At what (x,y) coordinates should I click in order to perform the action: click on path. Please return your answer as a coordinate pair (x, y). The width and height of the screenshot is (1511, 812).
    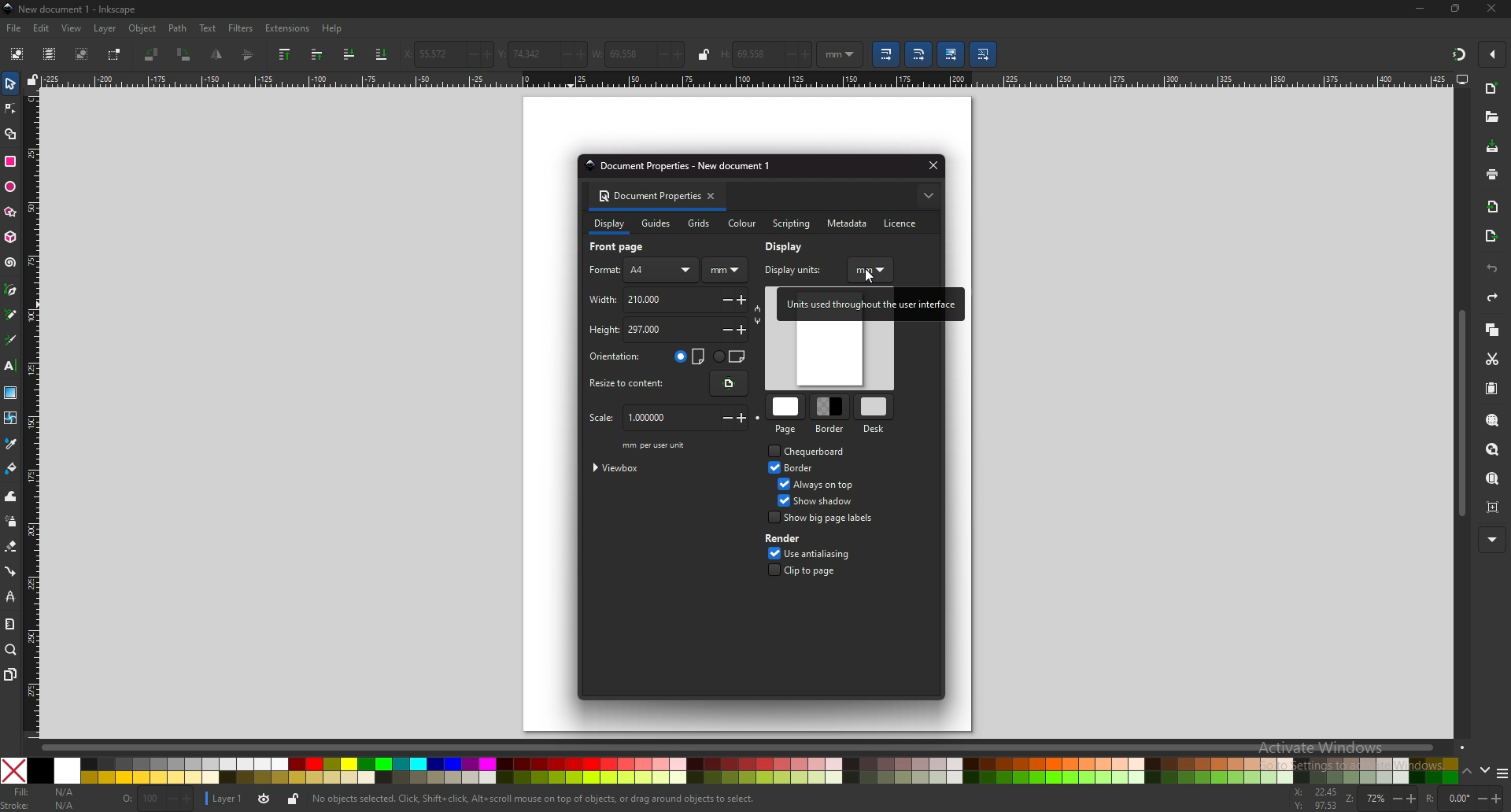
    Looking at the image, I should click on (176, 29).